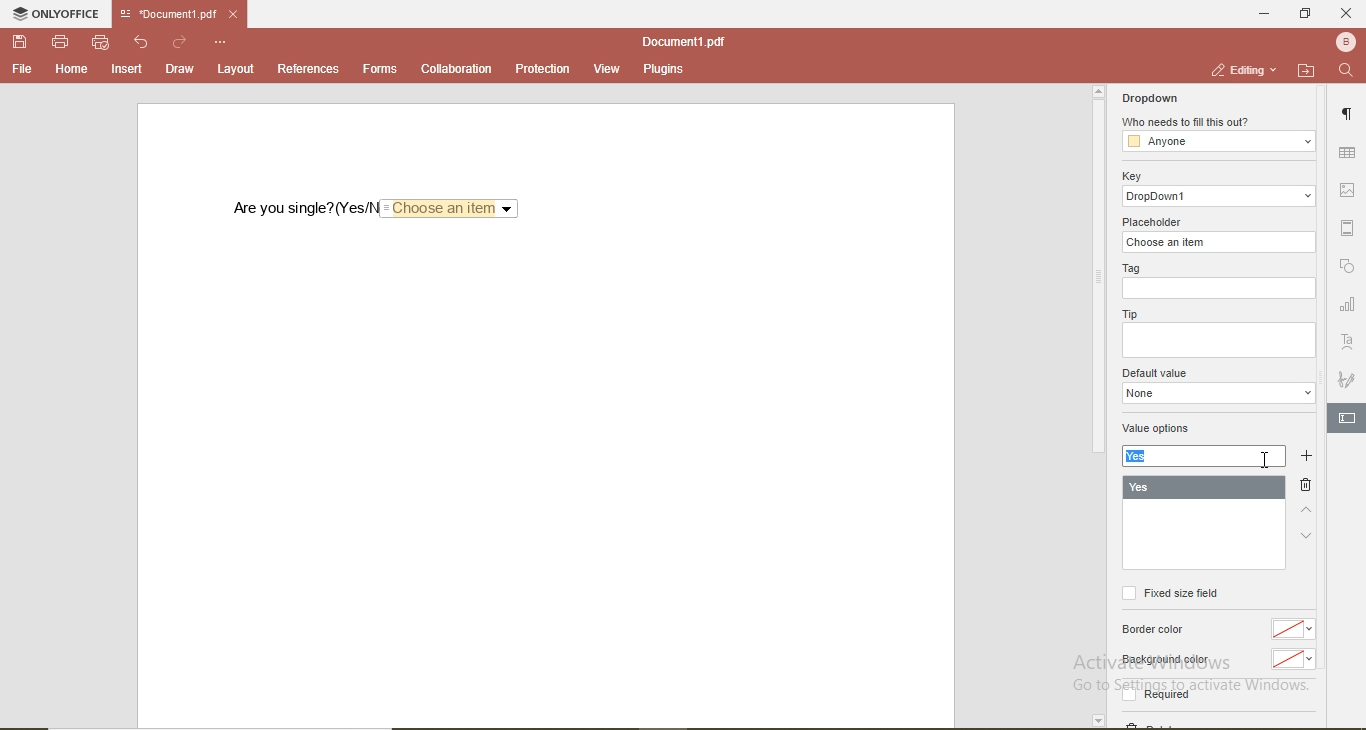 The width and height of the screenshot is (1366, 730). I want to click on minimise, so click(1262, 15).